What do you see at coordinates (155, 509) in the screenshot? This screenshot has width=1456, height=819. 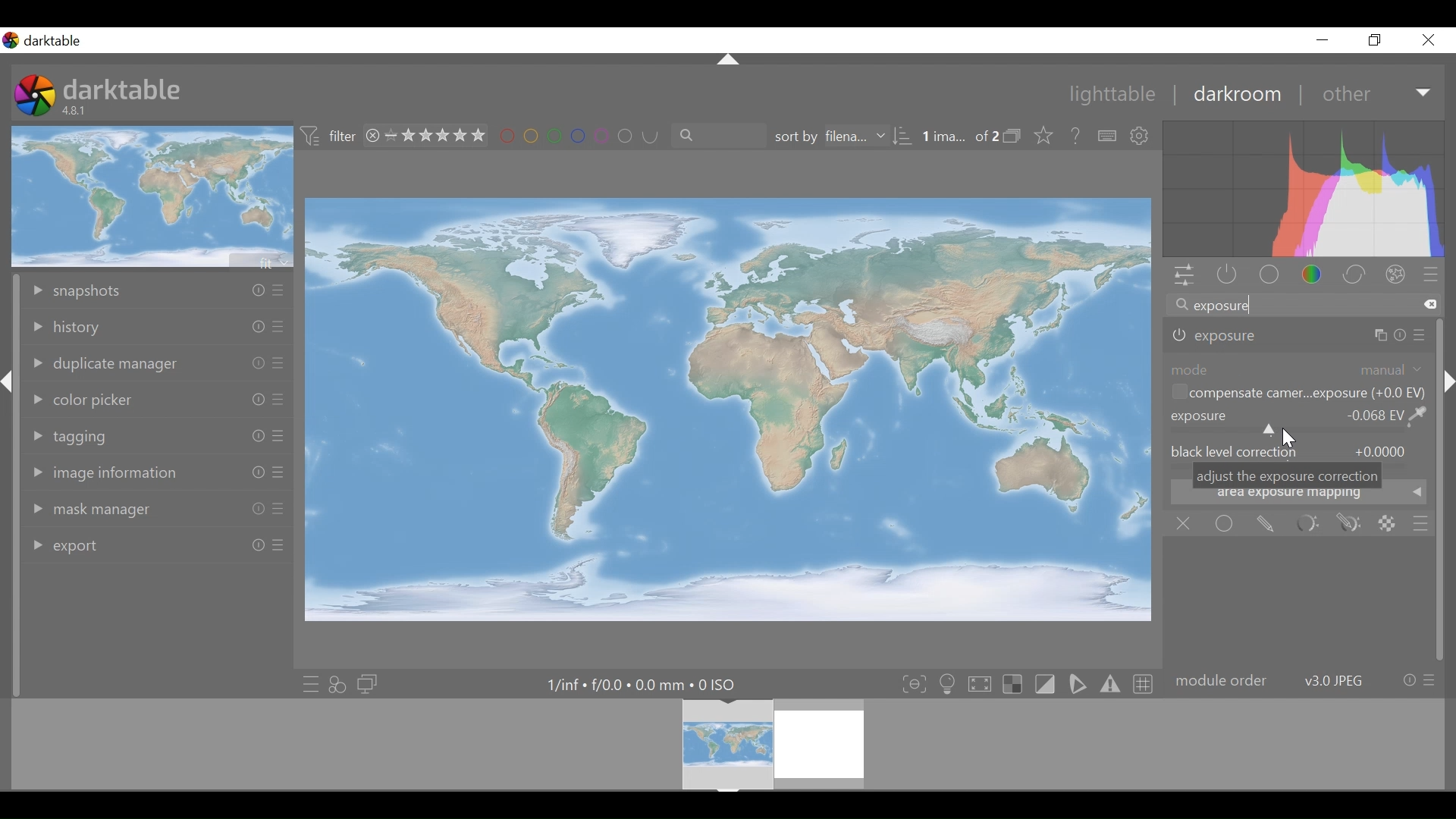 I see `mask manager` at bounding box center [155, 509].